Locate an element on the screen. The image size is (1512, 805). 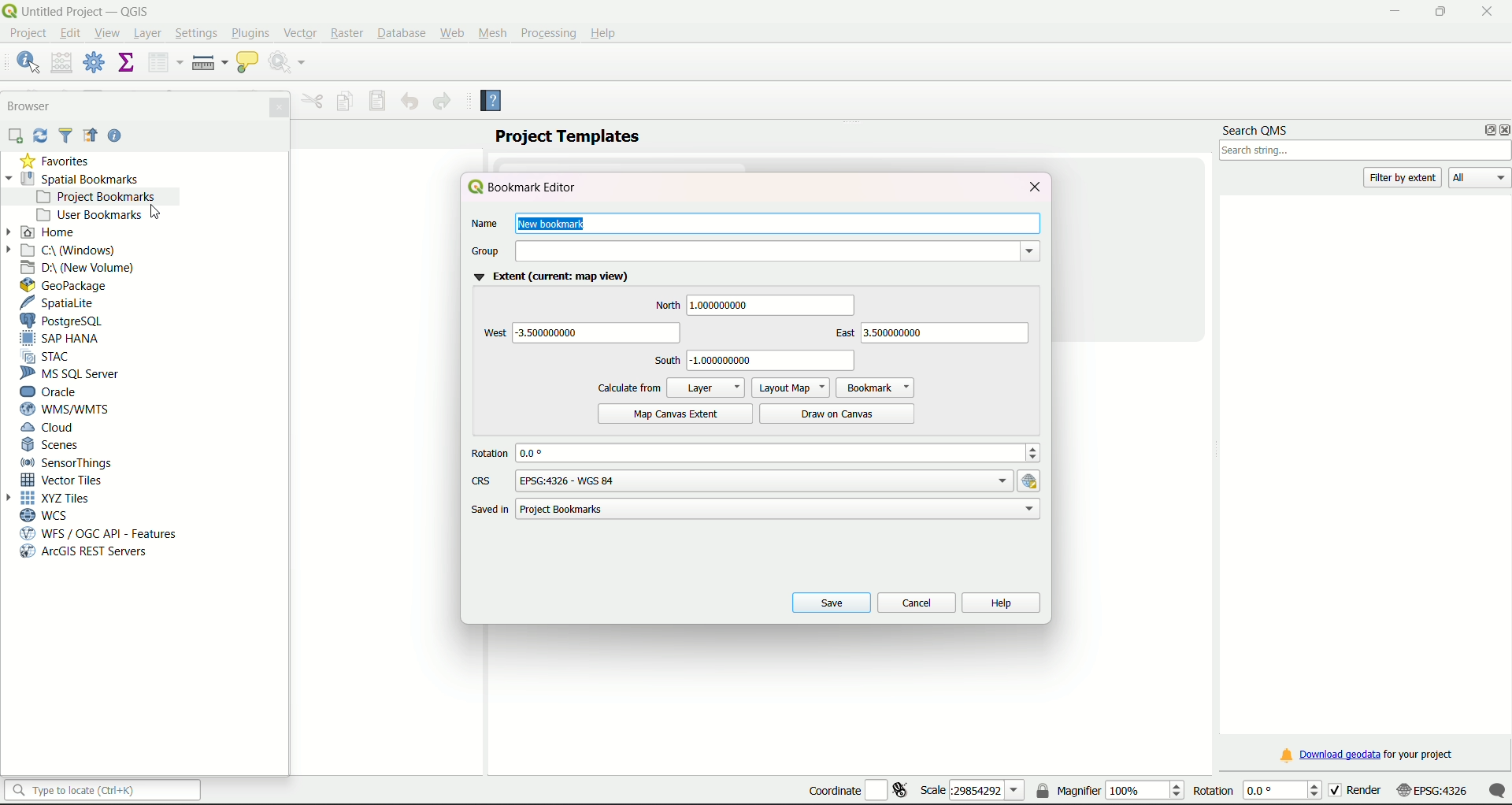
edit is located at coordinates (70, 32).